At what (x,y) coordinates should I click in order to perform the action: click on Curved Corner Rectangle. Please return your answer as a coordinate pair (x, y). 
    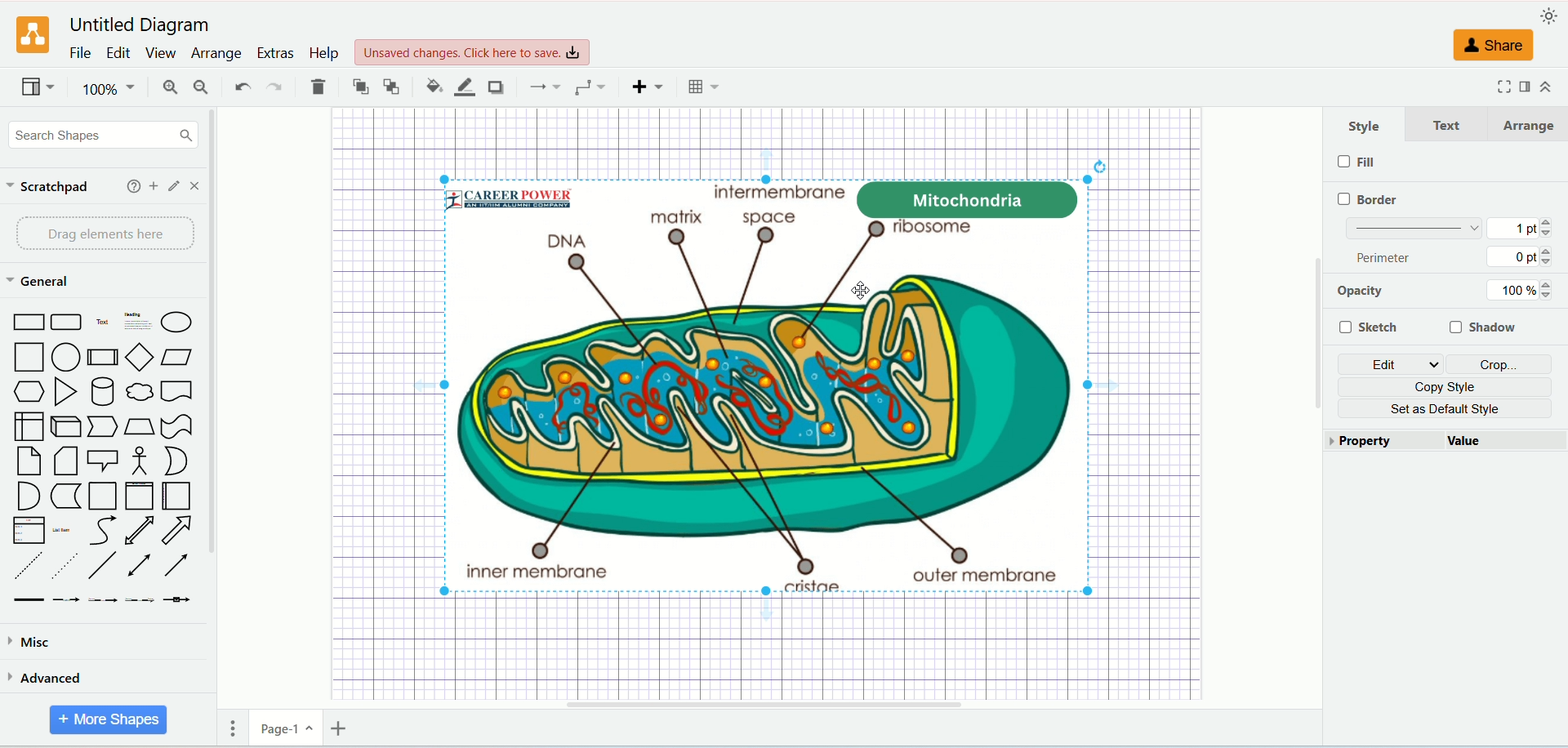
    Looking at the image, I should click on (67, 323).